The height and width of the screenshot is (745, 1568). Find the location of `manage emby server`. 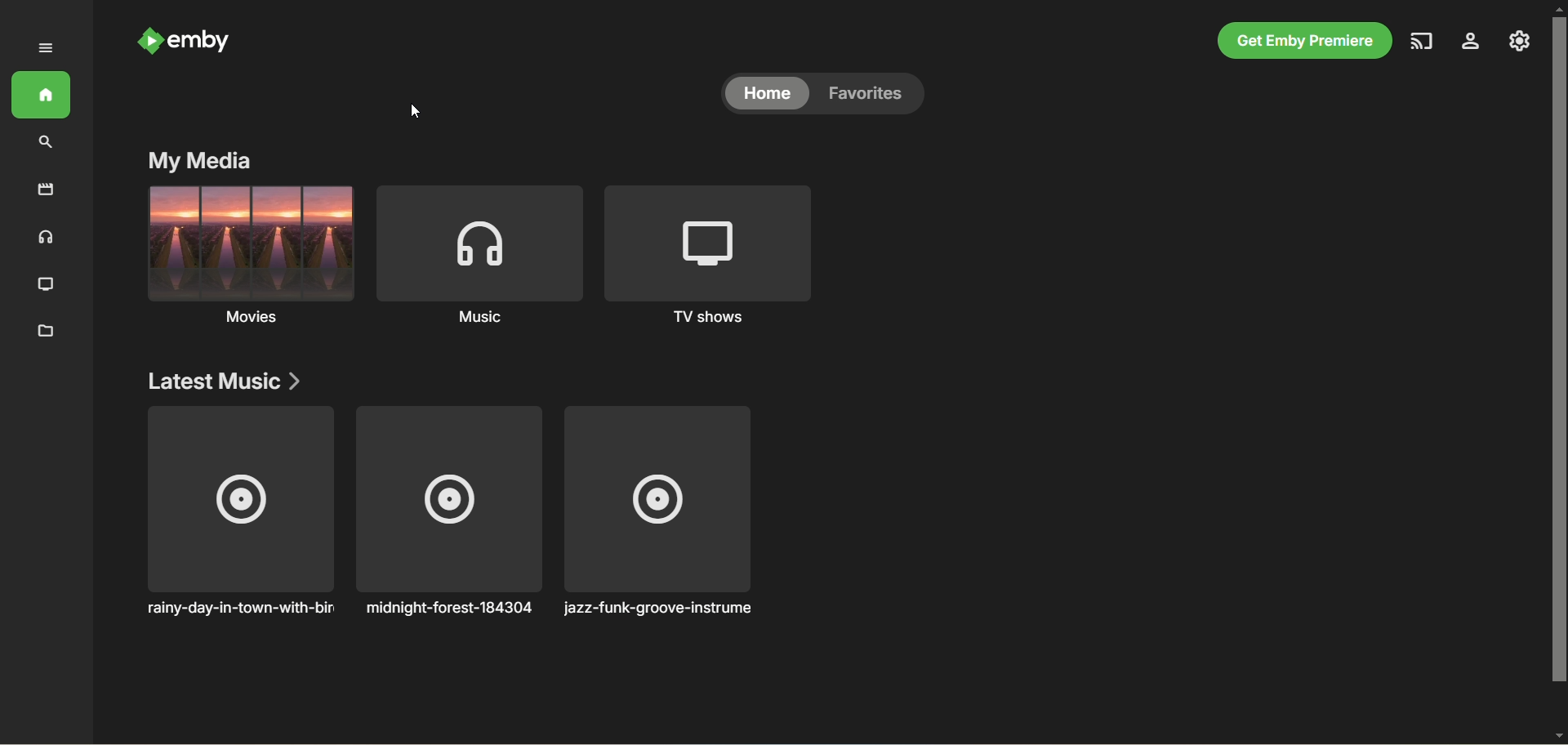

manage emby server is located at coordinates (1520, 42).